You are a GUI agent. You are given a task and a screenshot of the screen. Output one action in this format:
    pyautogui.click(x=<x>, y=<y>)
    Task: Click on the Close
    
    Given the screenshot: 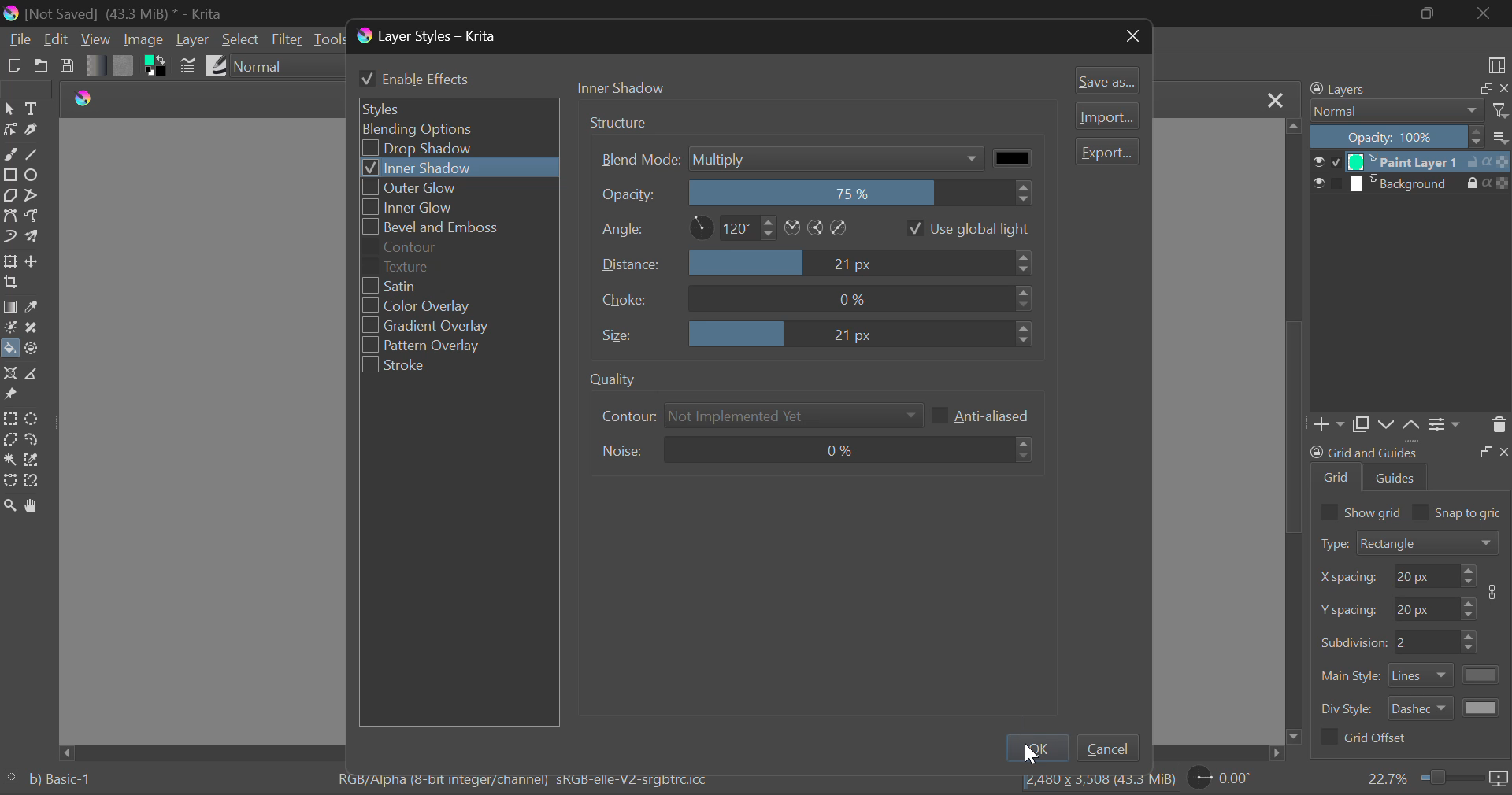 What is the action you would take?
    pyautogui.click(x=1274, y=100)
    